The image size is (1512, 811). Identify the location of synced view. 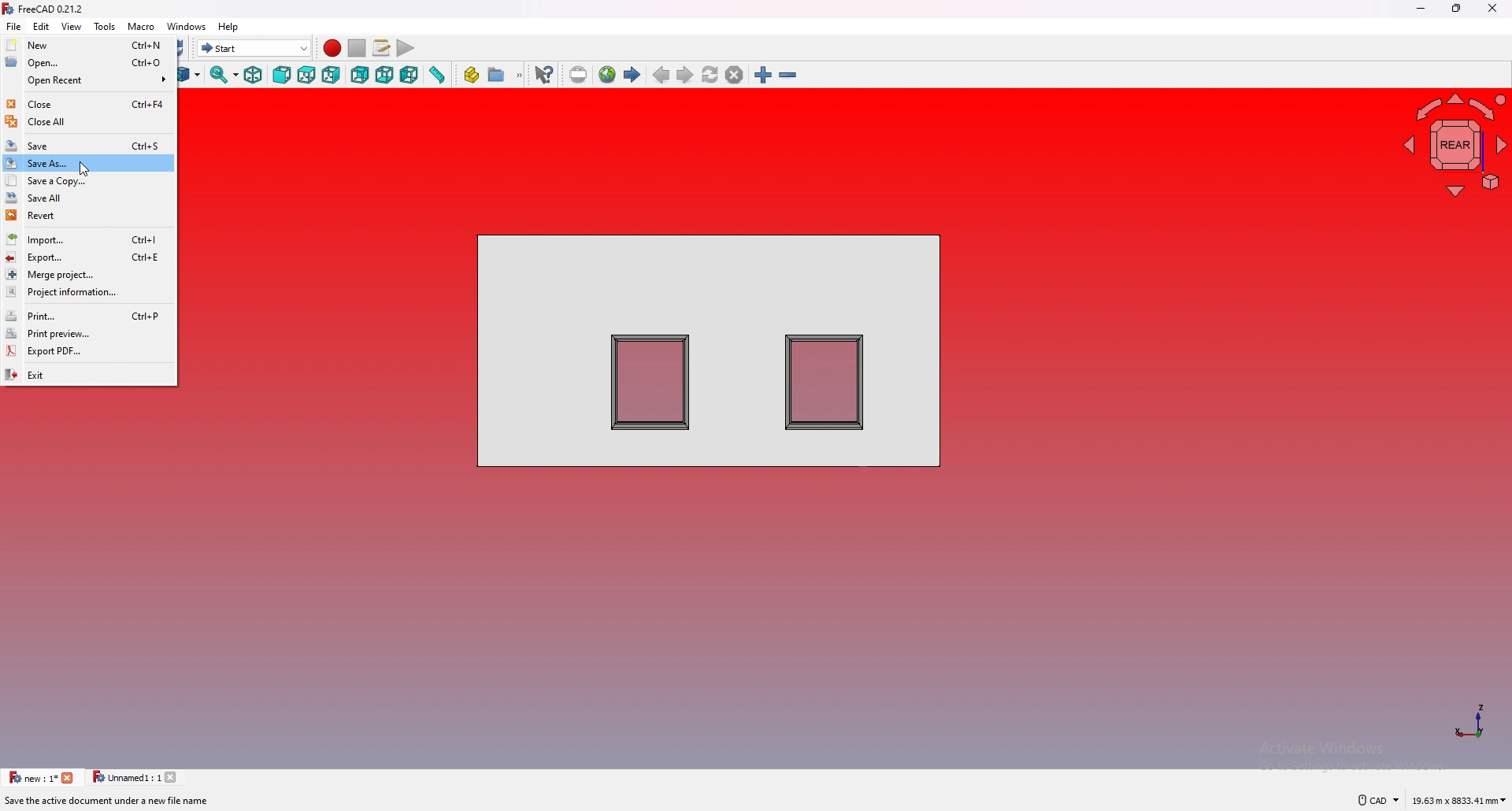
(224, 75).